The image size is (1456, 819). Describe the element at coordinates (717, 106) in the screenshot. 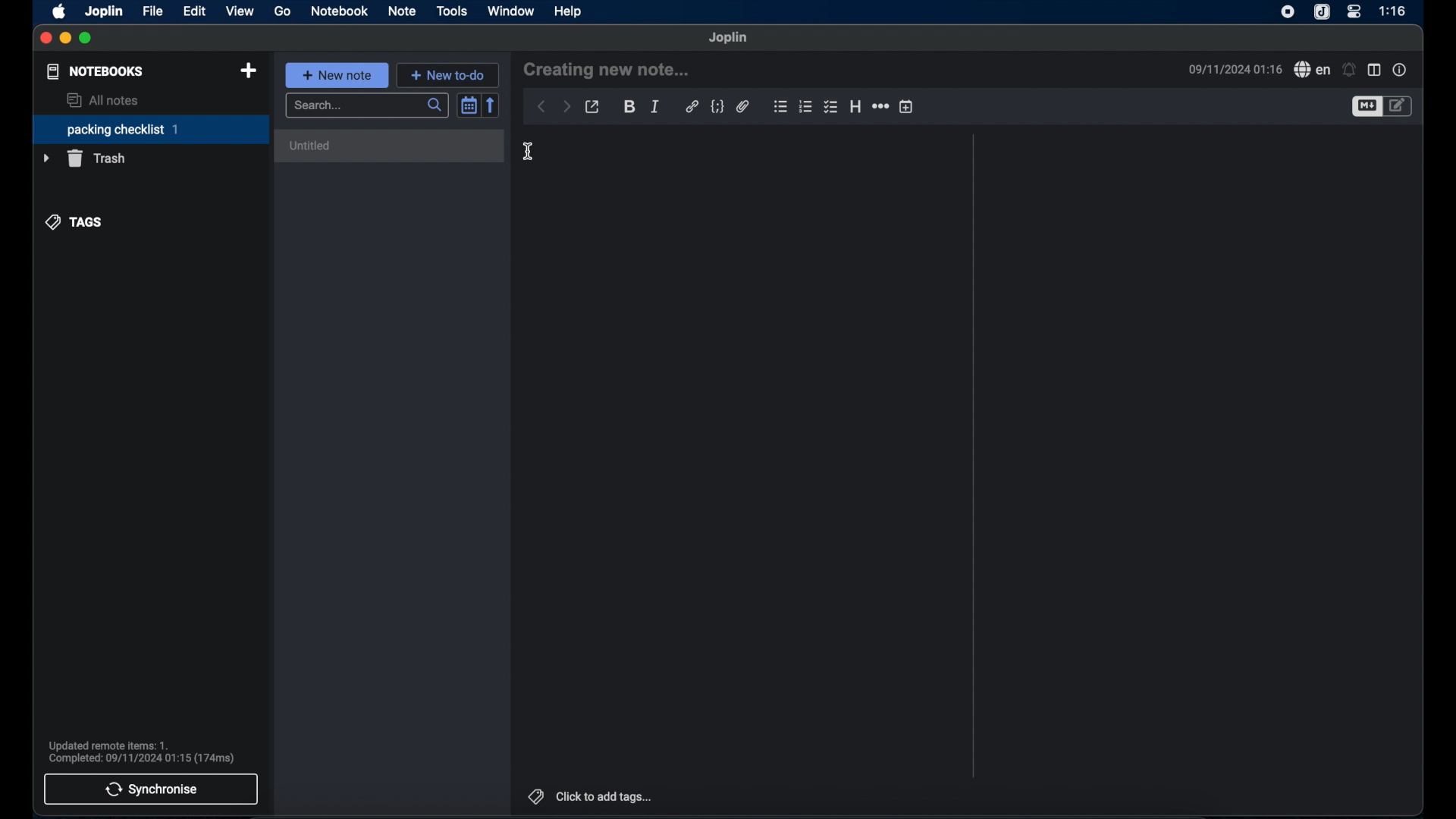

I see `code` at that location.